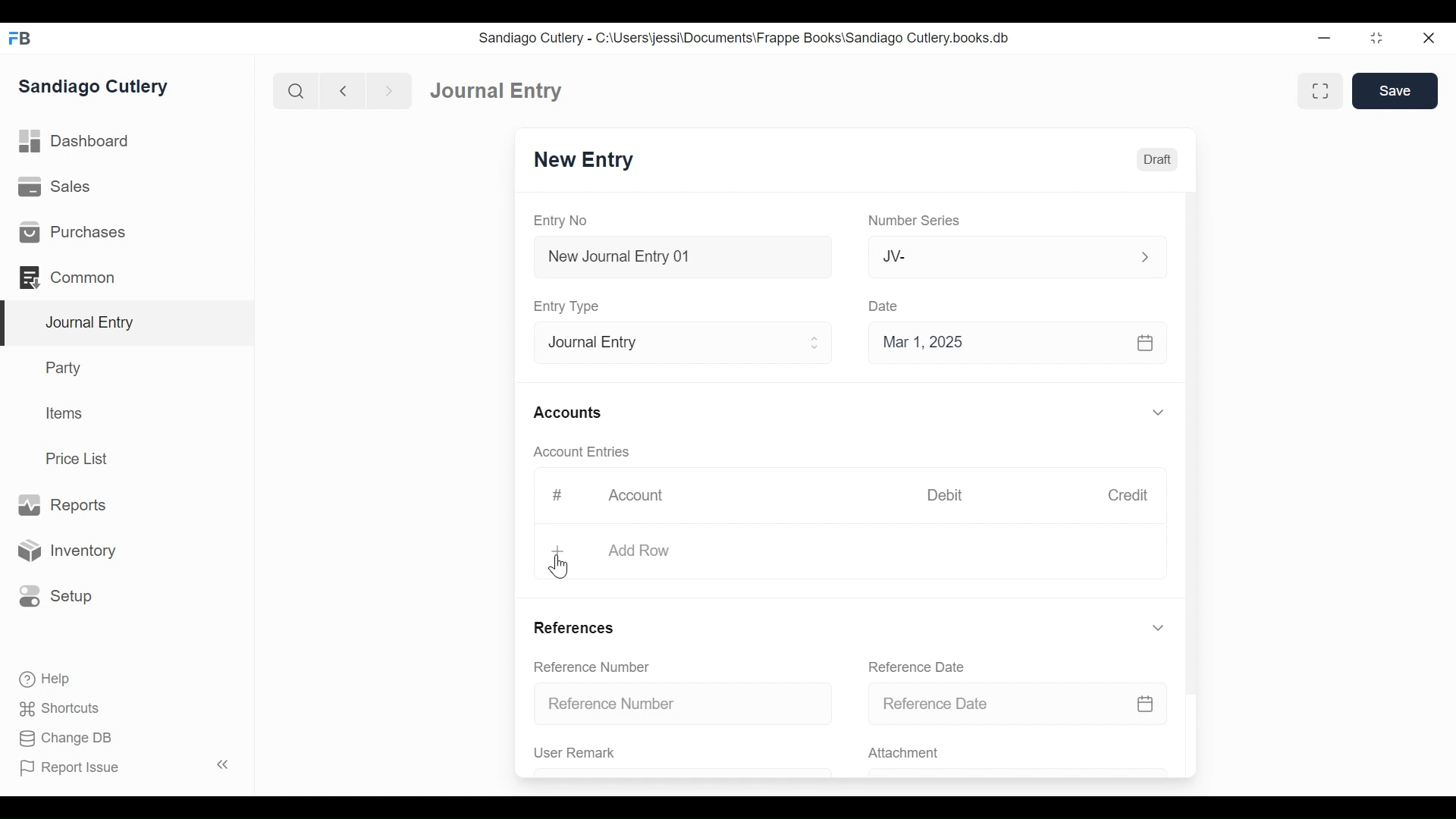 Image resolution: width=1456 pixels, height=819 pixels. What do you see at coordinates (293, 88) in the screenshot?
I see `search ` at bounding box center [293, 88].